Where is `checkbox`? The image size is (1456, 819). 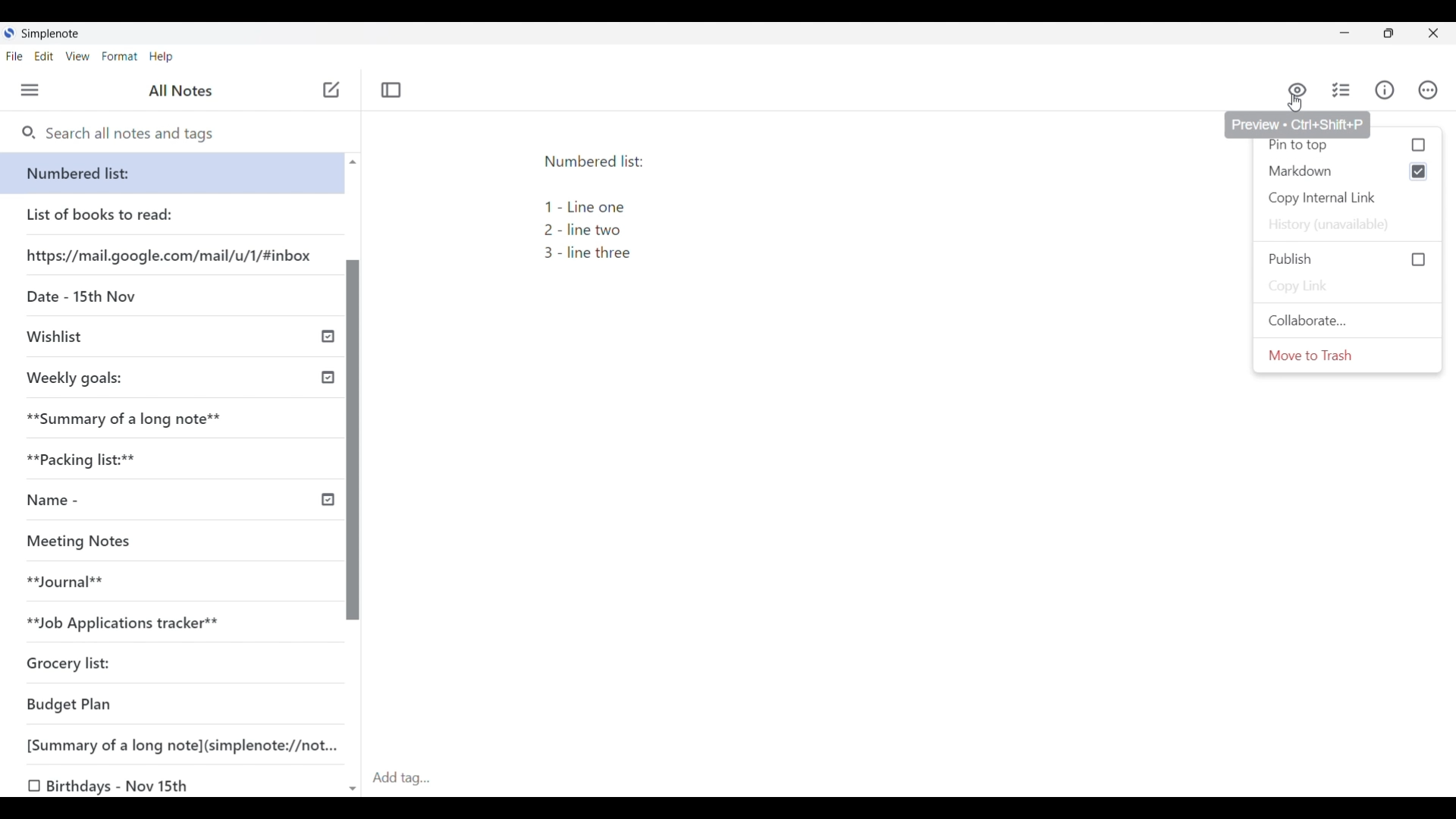
checkbox is located at coordinates (33, 784).